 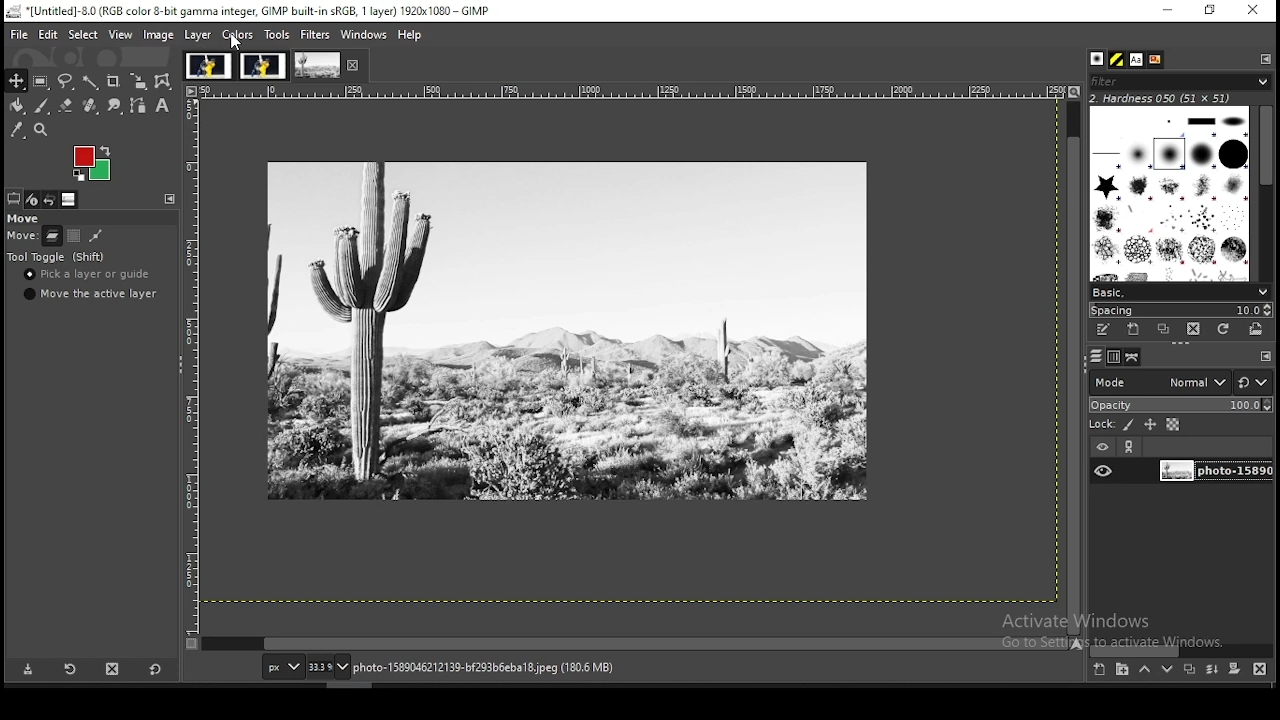 What do you see at coordinates (1223, 329) in the screenshot?
I see `refresh brush` at bounding box center [1223, 329].